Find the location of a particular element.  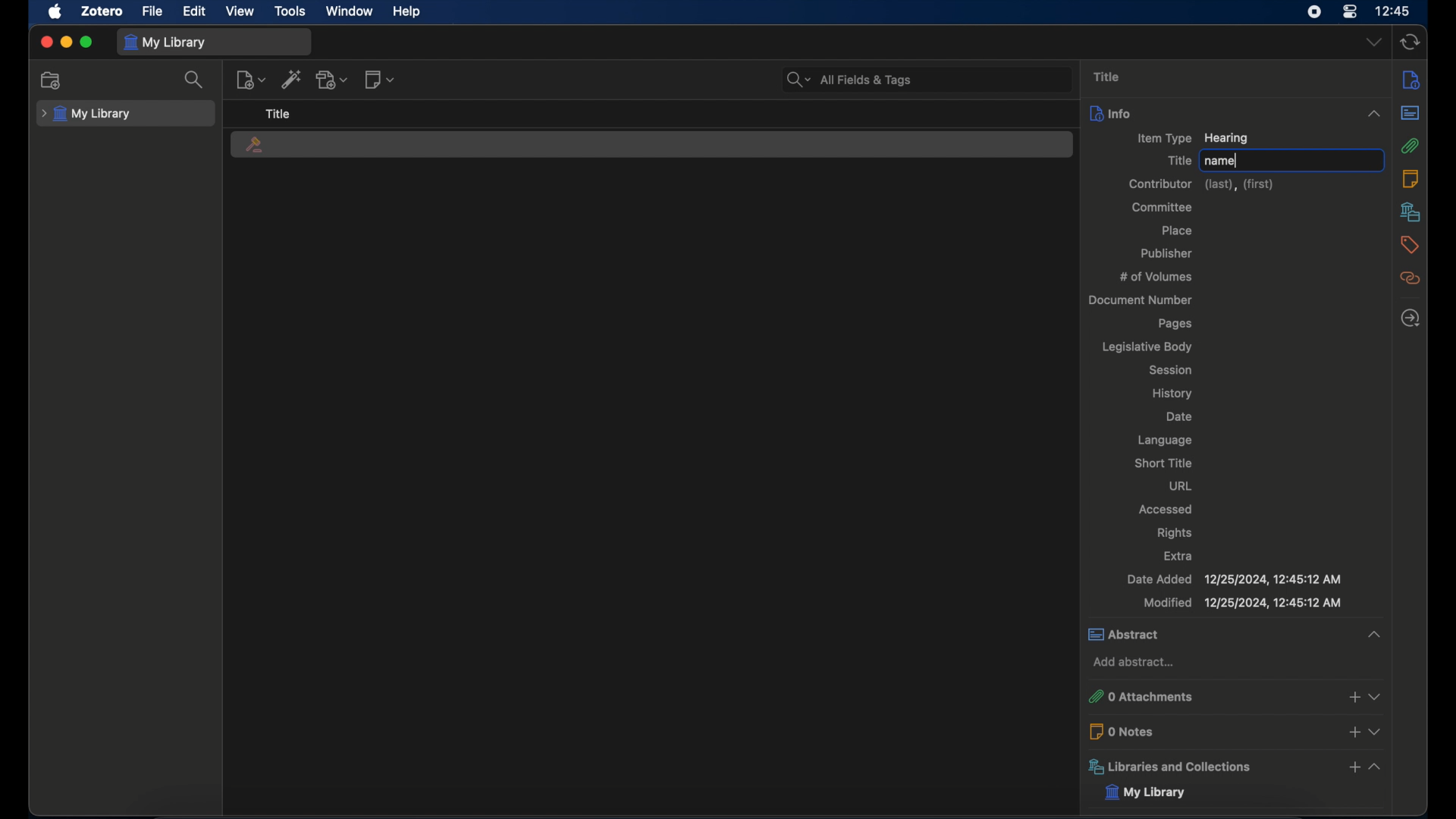

dropdown is located at coordinates (1374, 41).